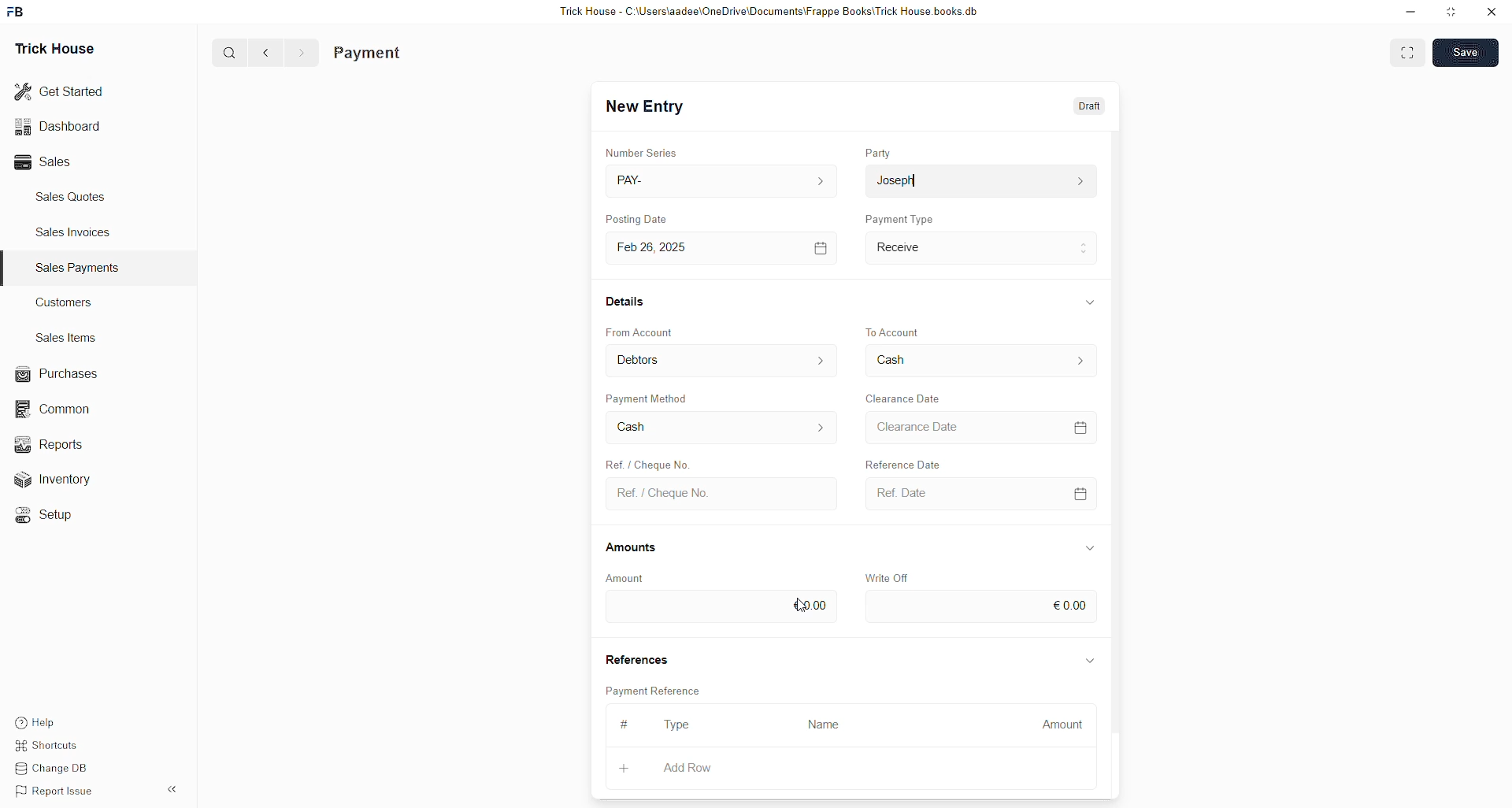 The image size is (1512, 808). What do you see at coordinates (80, 268) in the screenshot?
I see `Sales Payments` at bounding box center [80, 268].